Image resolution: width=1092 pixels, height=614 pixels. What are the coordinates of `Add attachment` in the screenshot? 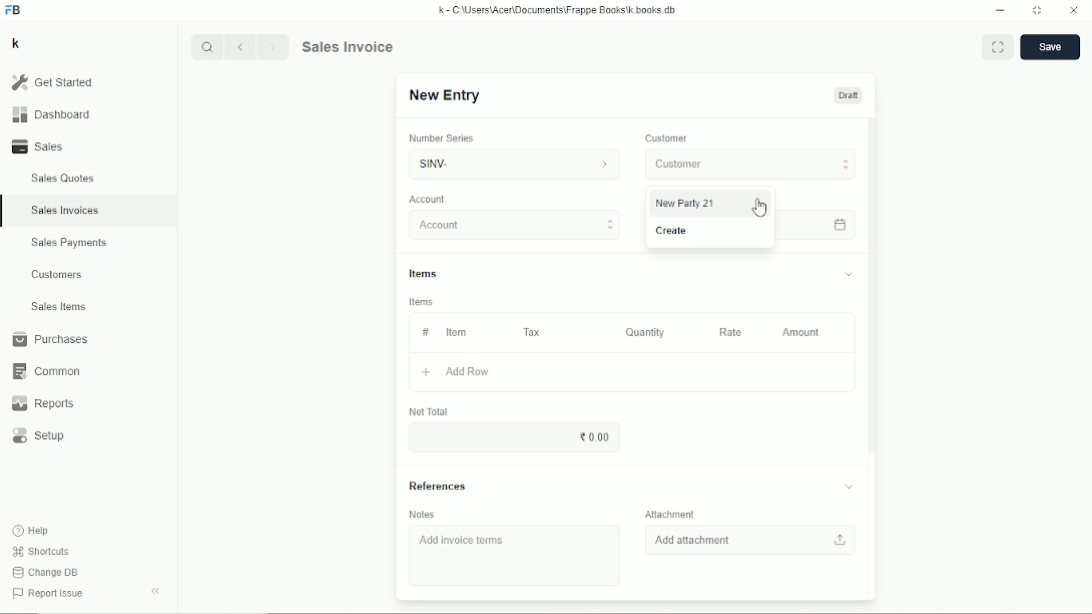 It's located at (753, 539).